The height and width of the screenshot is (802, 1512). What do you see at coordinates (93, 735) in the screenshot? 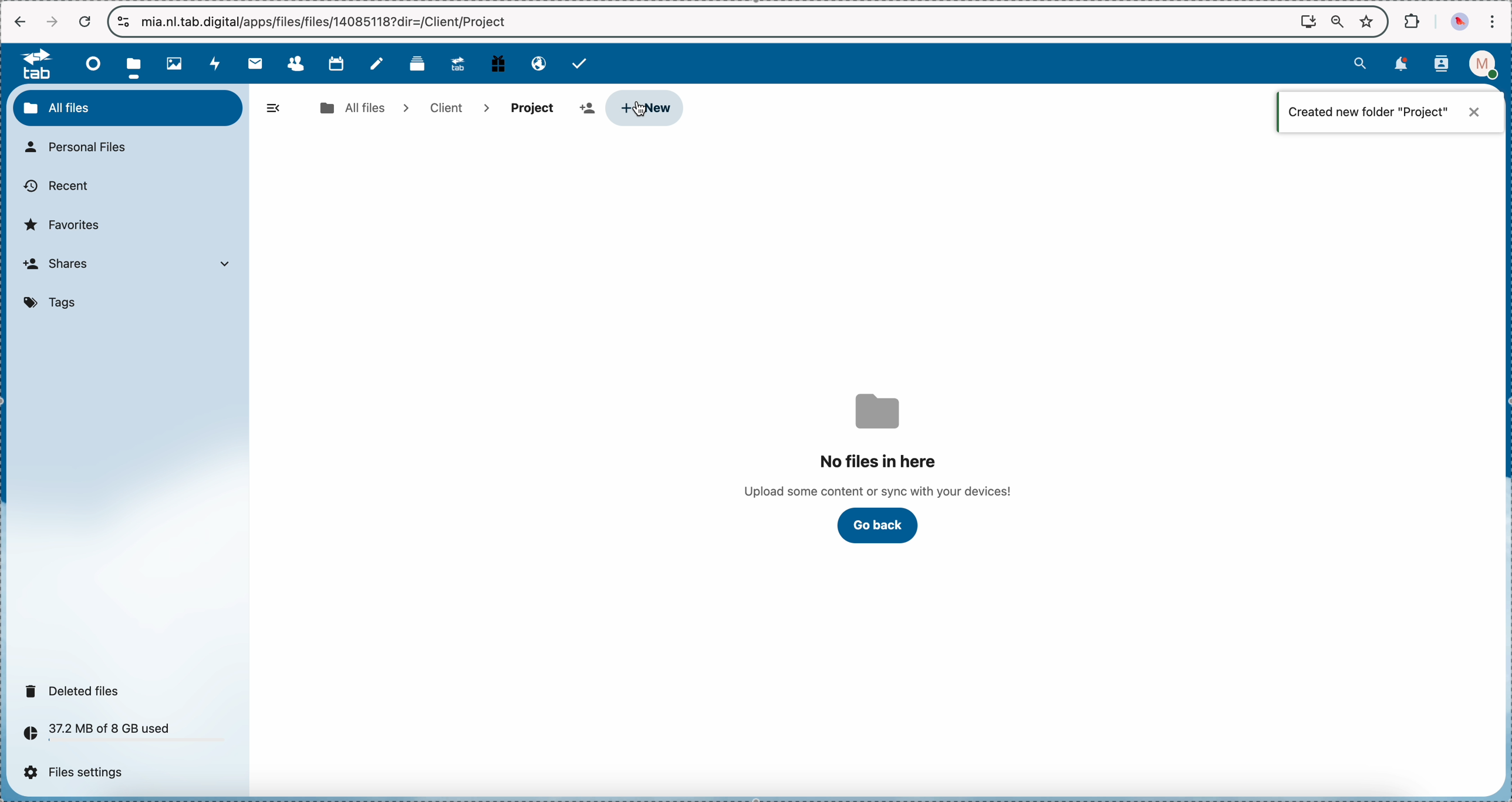
I see `37.2 MB of 8 GB` at bounding box center [93, 735].